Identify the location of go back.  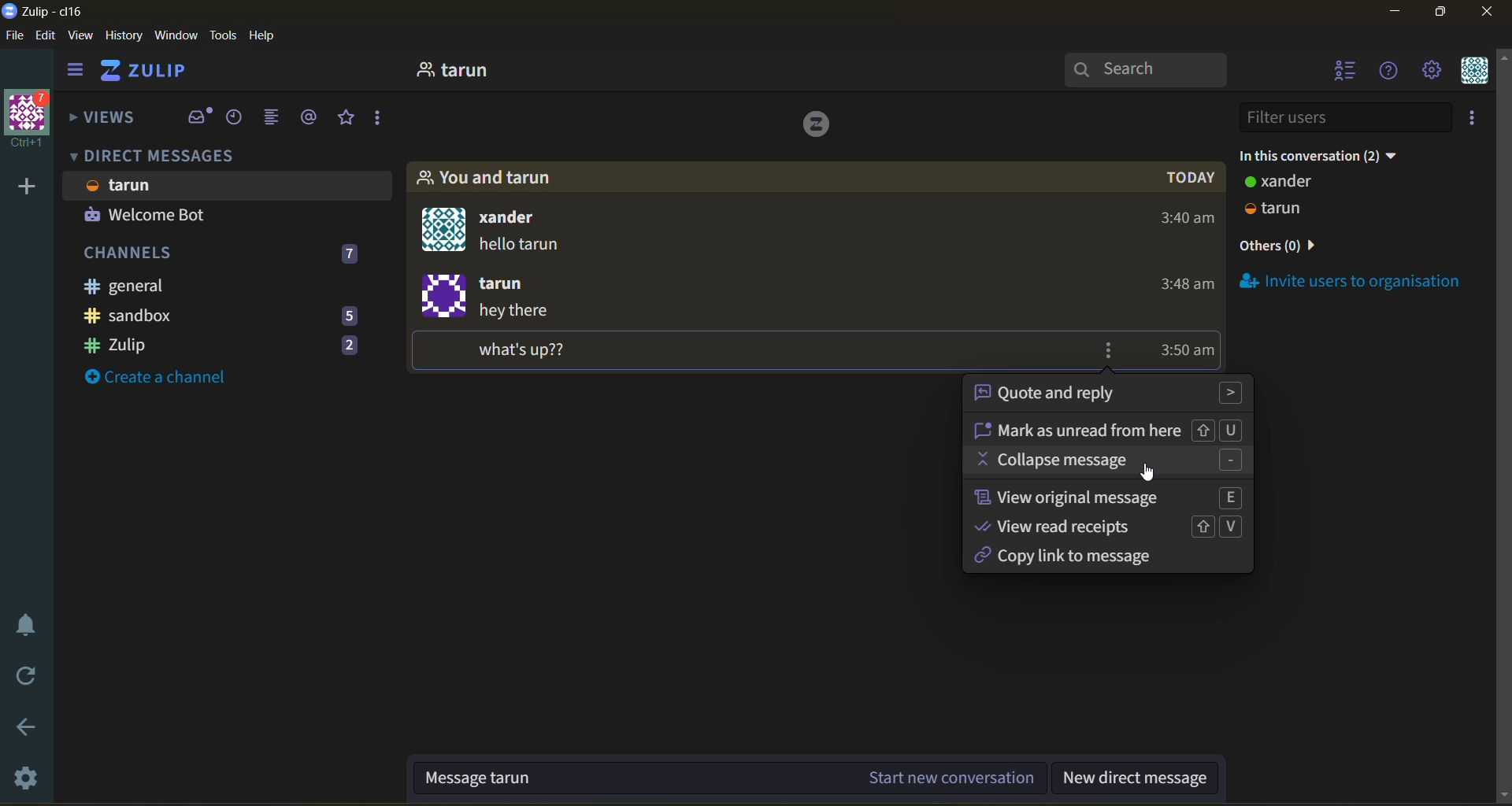
(20, 729).